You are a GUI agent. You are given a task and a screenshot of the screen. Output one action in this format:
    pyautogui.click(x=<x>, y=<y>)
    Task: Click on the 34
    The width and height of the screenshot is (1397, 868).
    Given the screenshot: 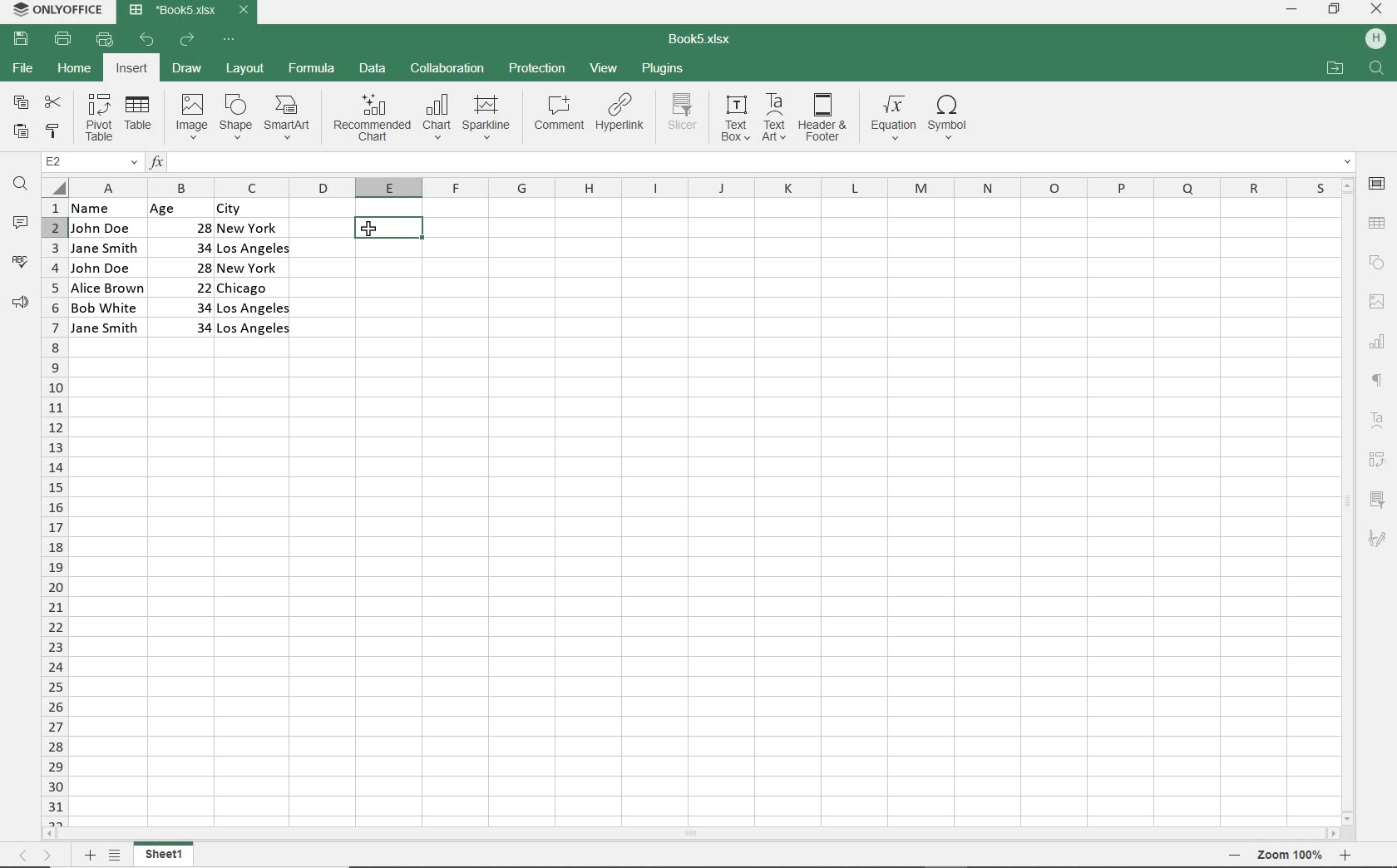 What is the action you would take?
    pyautogui.click(x=185, y=306)
    